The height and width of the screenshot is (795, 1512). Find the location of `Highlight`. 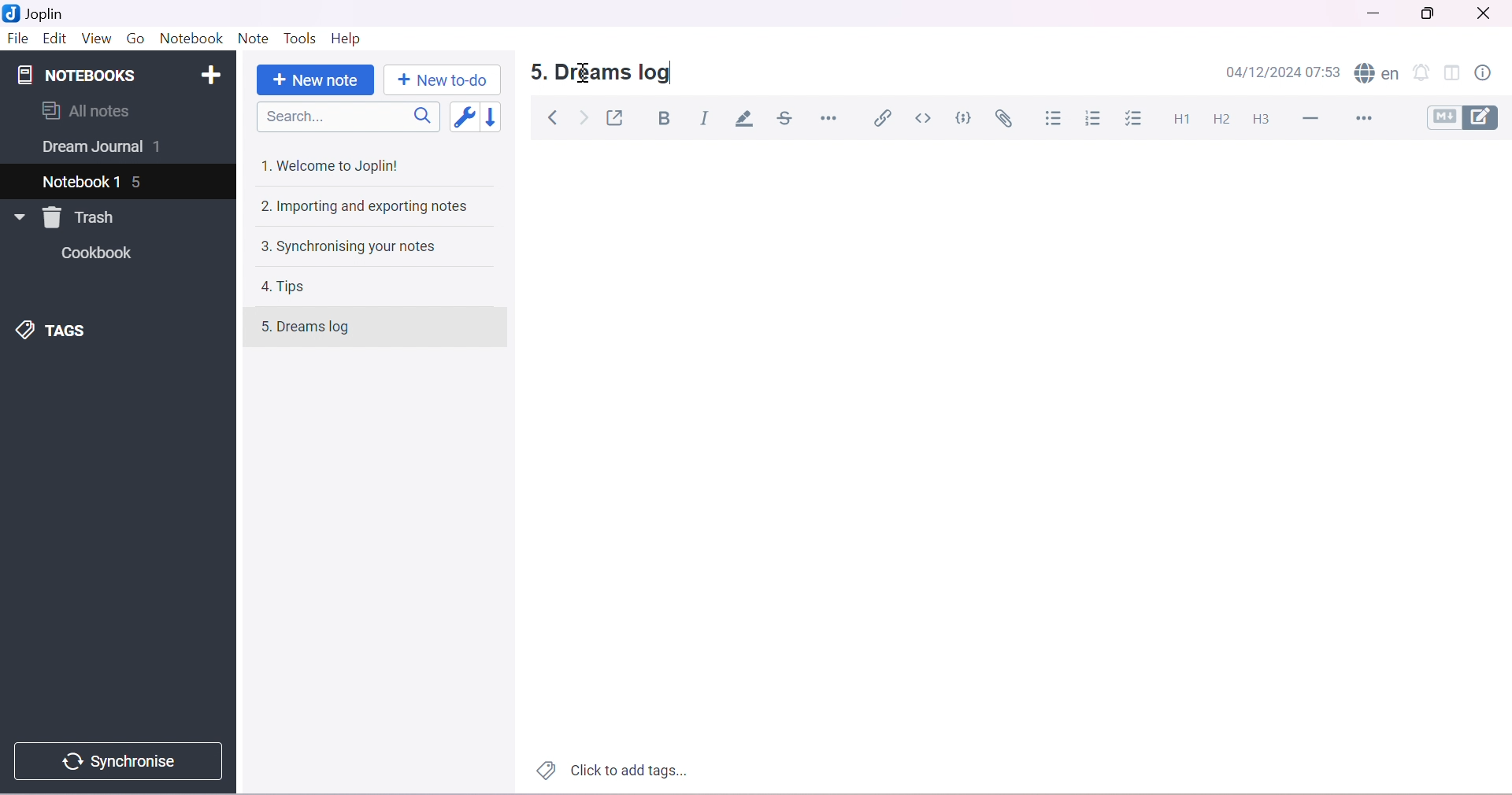

Highlight is located at coordinates (747, 120).